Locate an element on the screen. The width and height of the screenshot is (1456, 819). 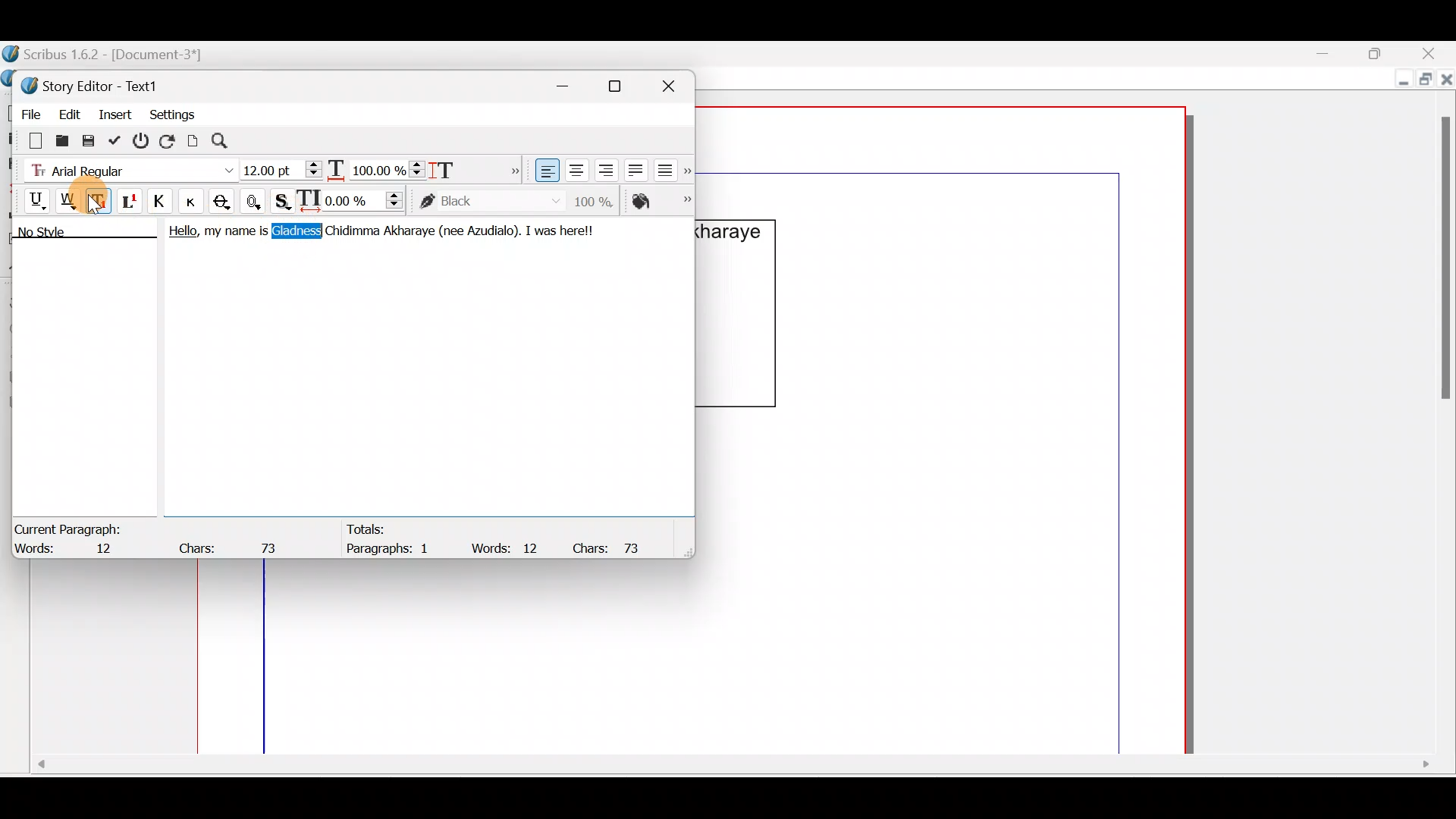
Scaling height of characters is located at coordinates (464, 165).